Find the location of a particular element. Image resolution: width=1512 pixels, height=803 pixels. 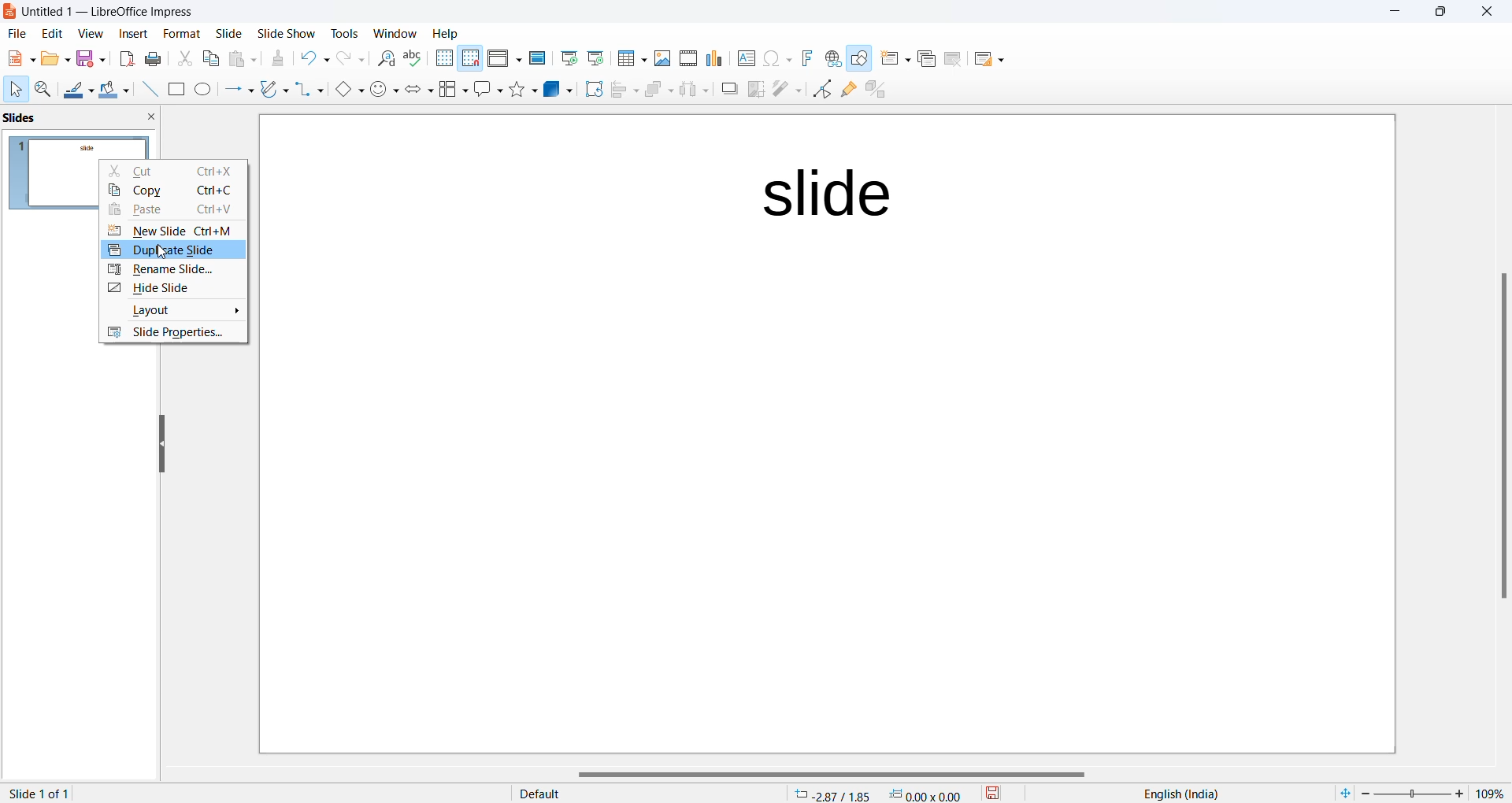

edit is located at coordinates (50, 35).